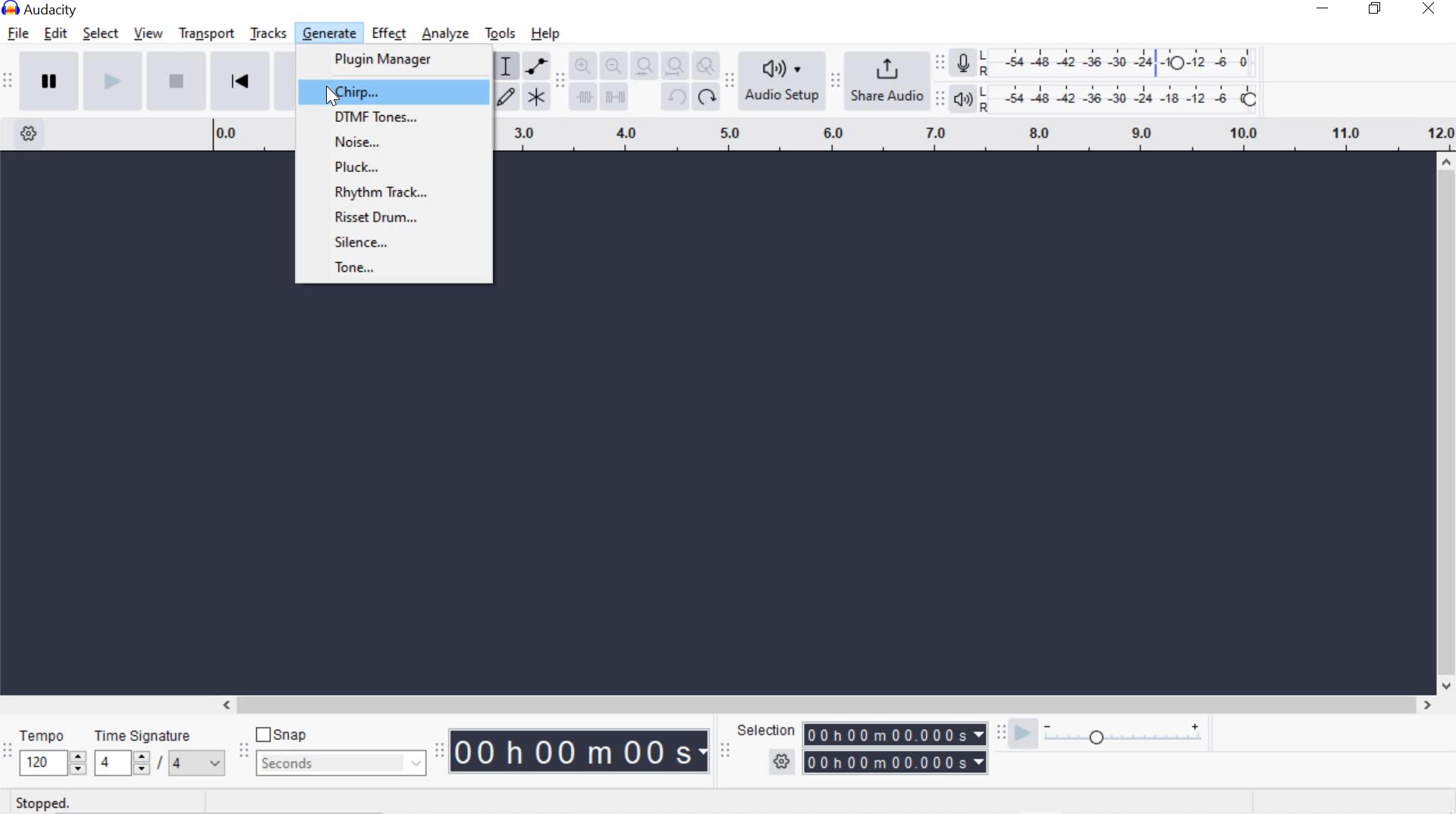 The image size is (1456, 814). I want to click on file, so click(17, 34).